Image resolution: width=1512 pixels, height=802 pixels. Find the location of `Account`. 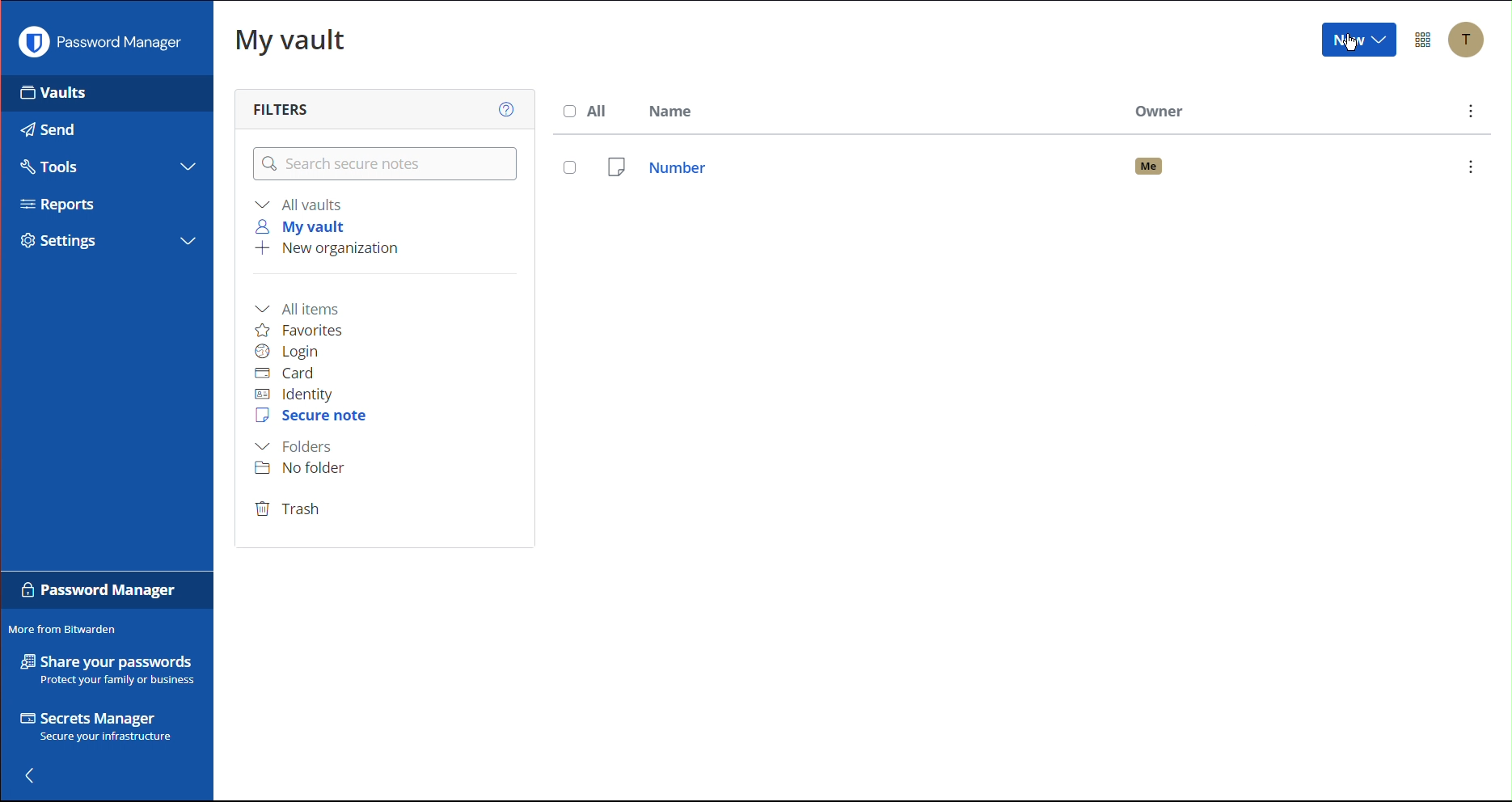

Account is located at coordinates (1472, 42).